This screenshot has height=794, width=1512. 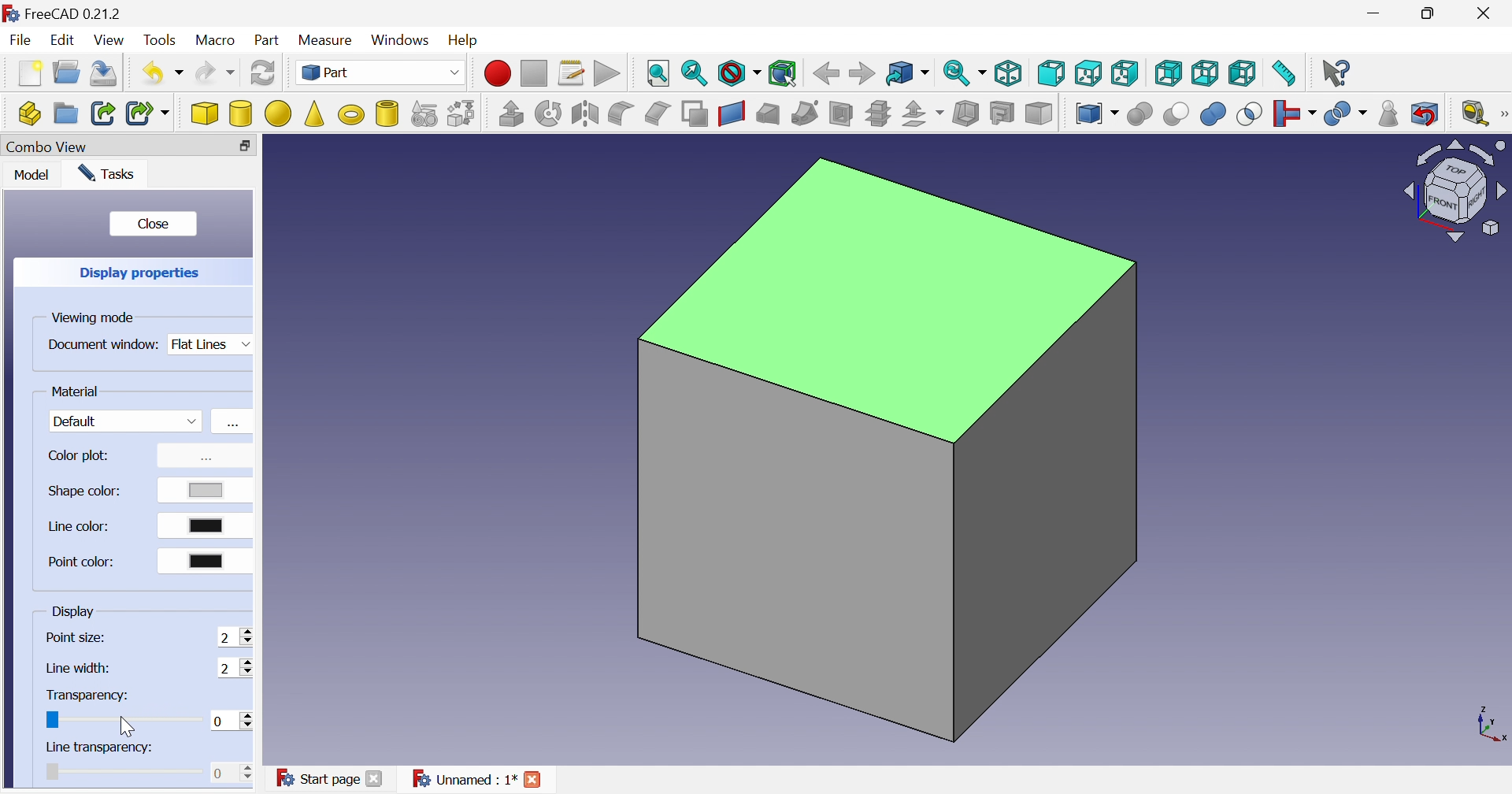 What do you see at coordinates (231, 425) in the screenshot?
I see `Material properties` at bounding box center [231, 425].